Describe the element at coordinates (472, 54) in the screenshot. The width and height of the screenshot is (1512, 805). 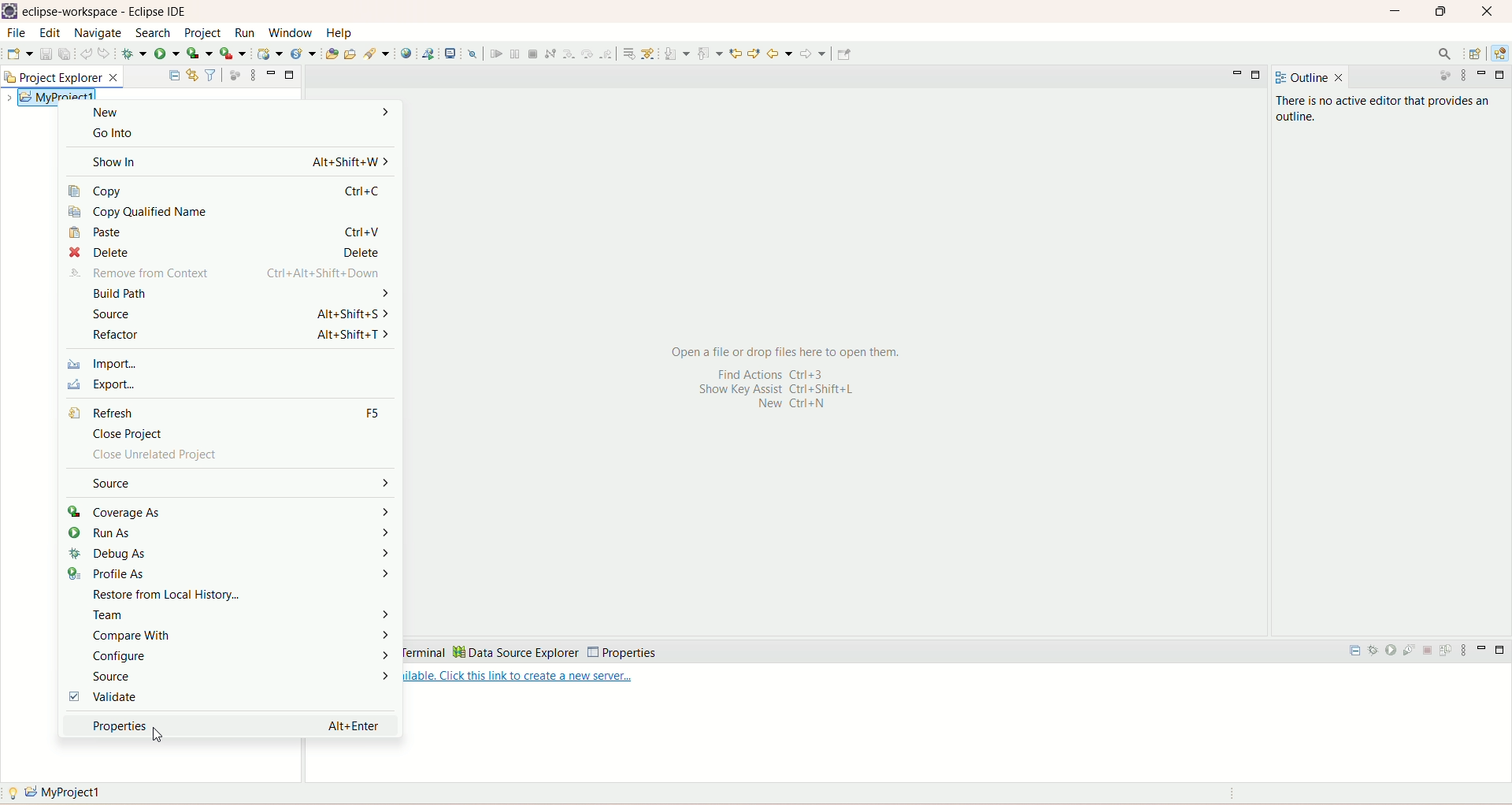
I see `skip all breakpoints` at that location.